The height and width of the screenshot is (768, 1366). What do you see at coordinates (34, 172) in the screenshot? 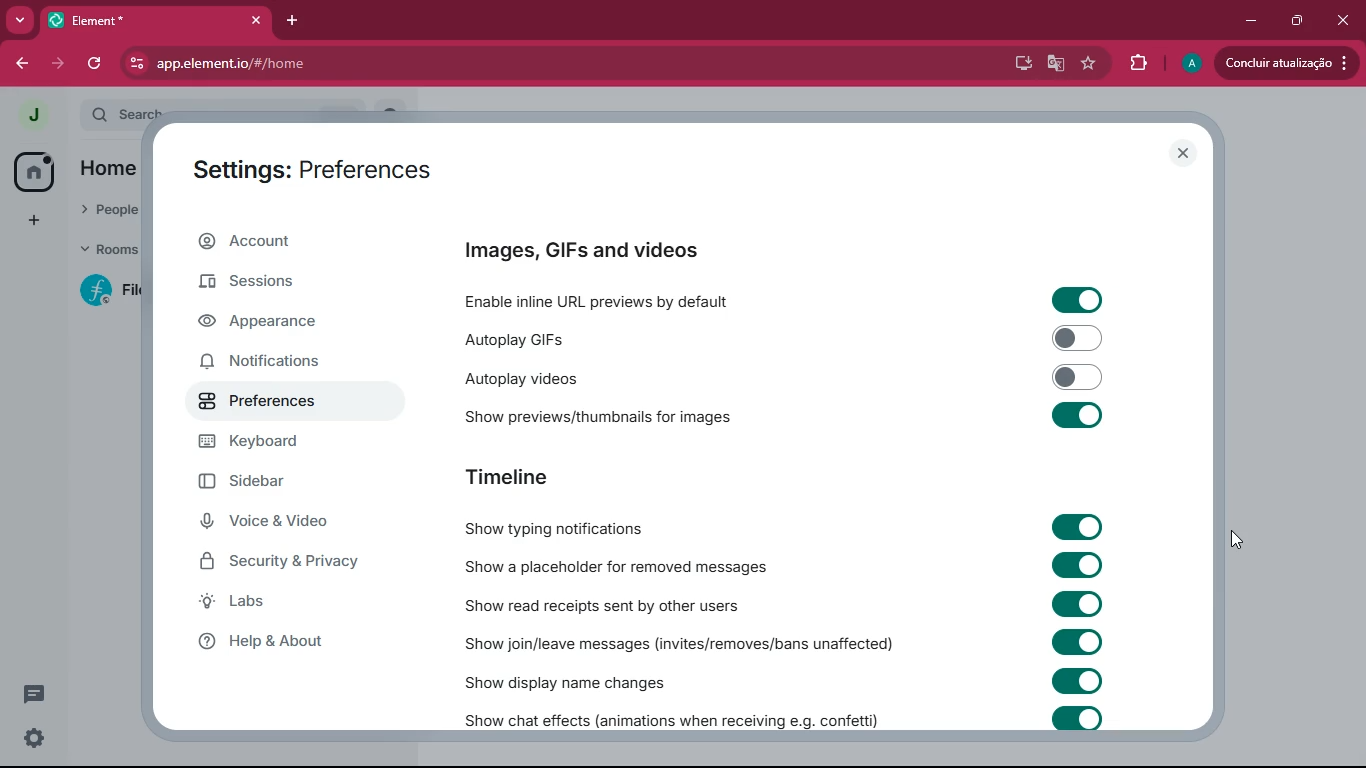
I see `home` at bounding box center [34, 172].